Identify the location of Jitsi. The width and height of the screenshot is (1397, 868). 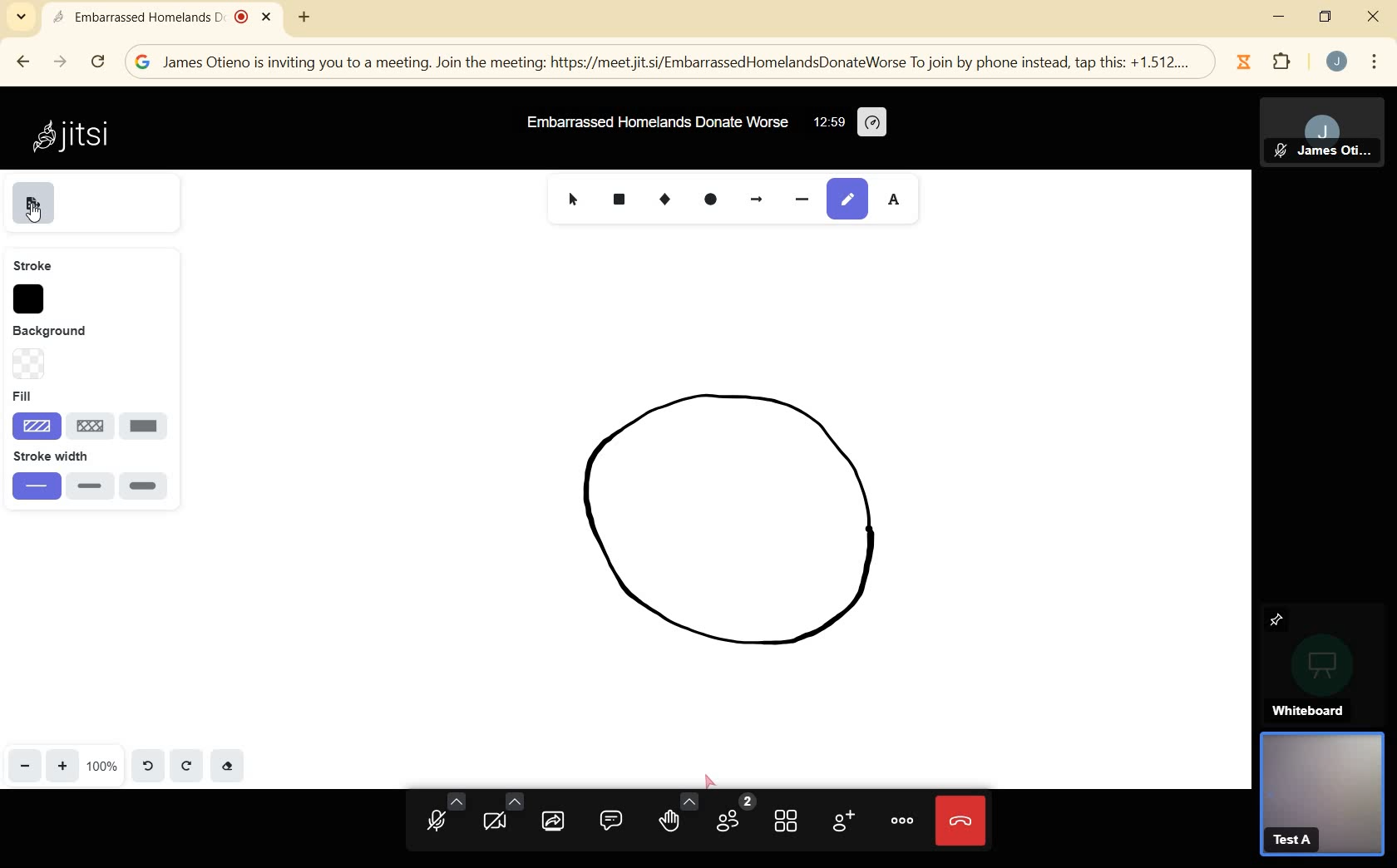
(77, 136).